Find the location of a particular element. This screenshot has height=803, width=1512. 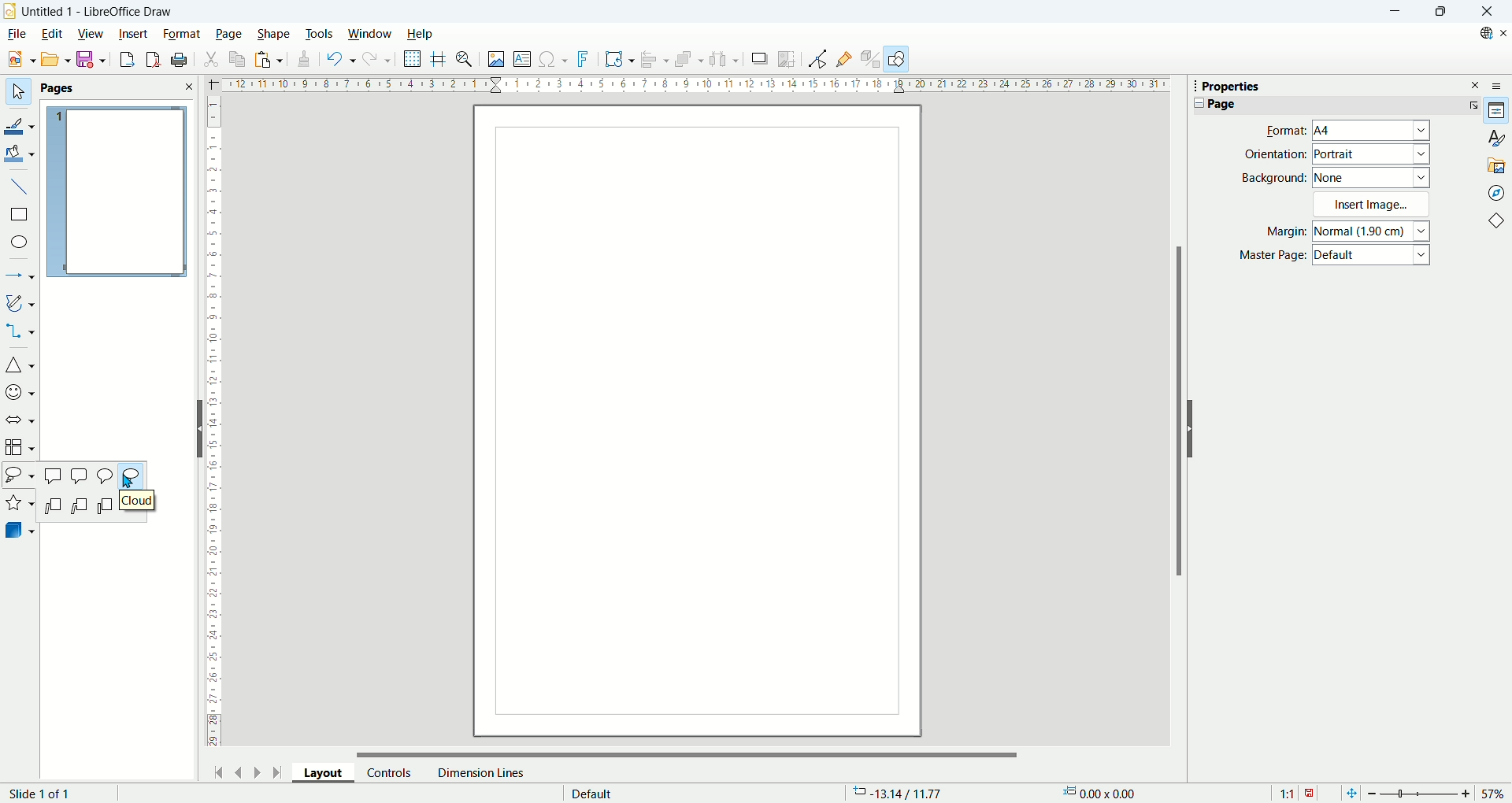

fontwork text is located at coordinates (585, 60).